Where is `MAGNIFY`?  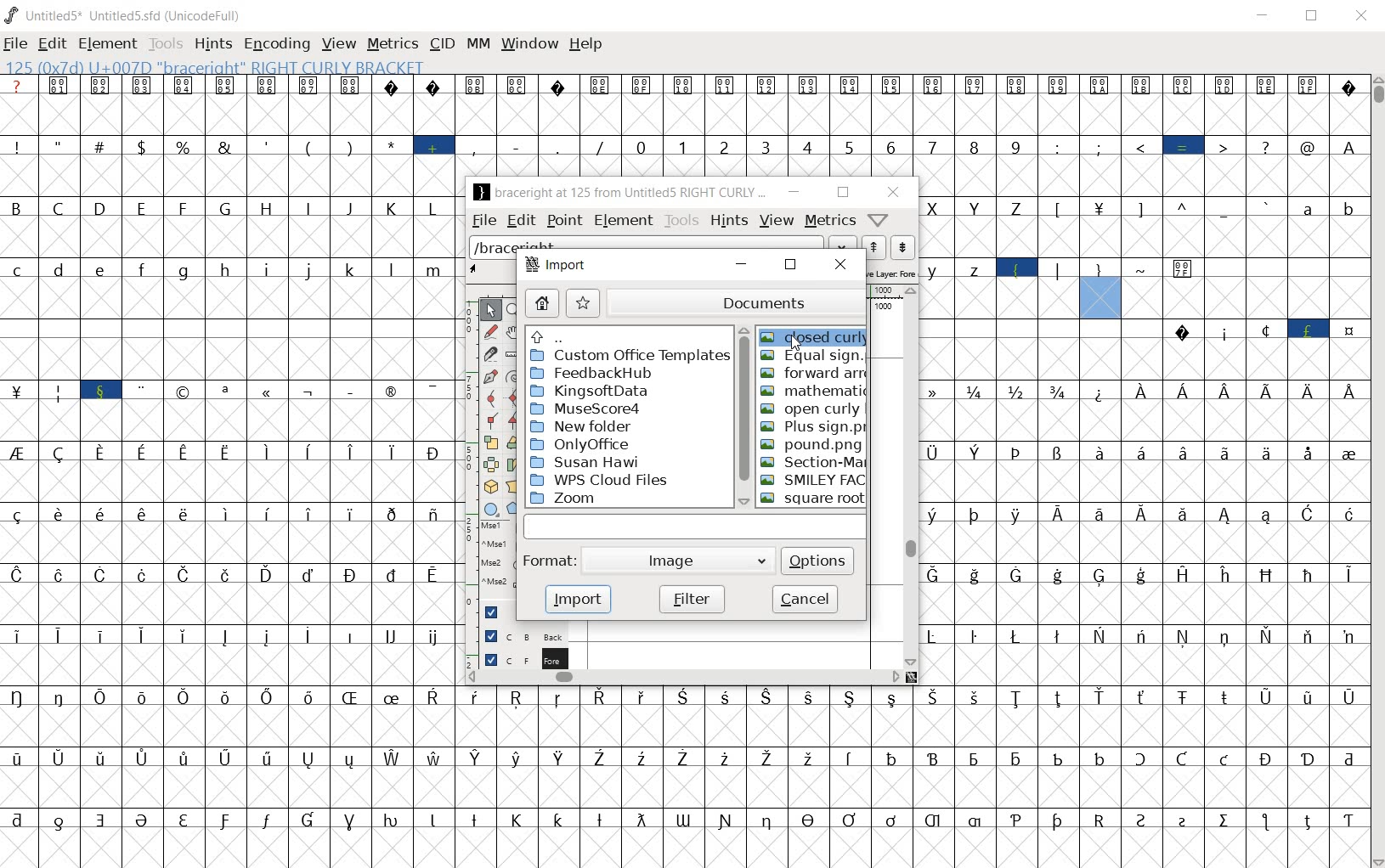
MAGNIFY is located at coordinates (515, 309).